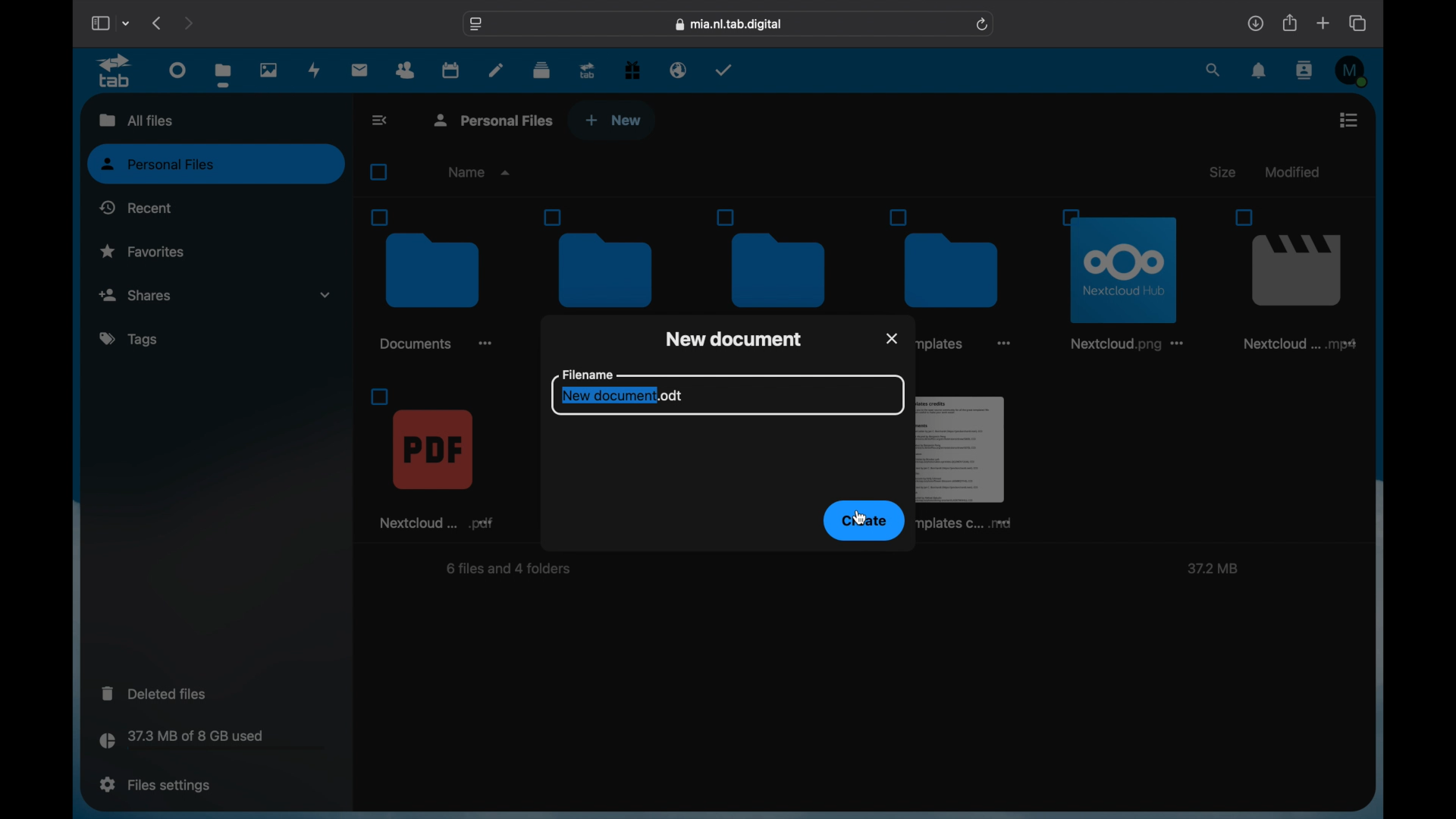 The height and width of the screenshot is (819, 1456). Describe the element at coordinates (984, 25) in the screenshot. I see `refresh` at that location.